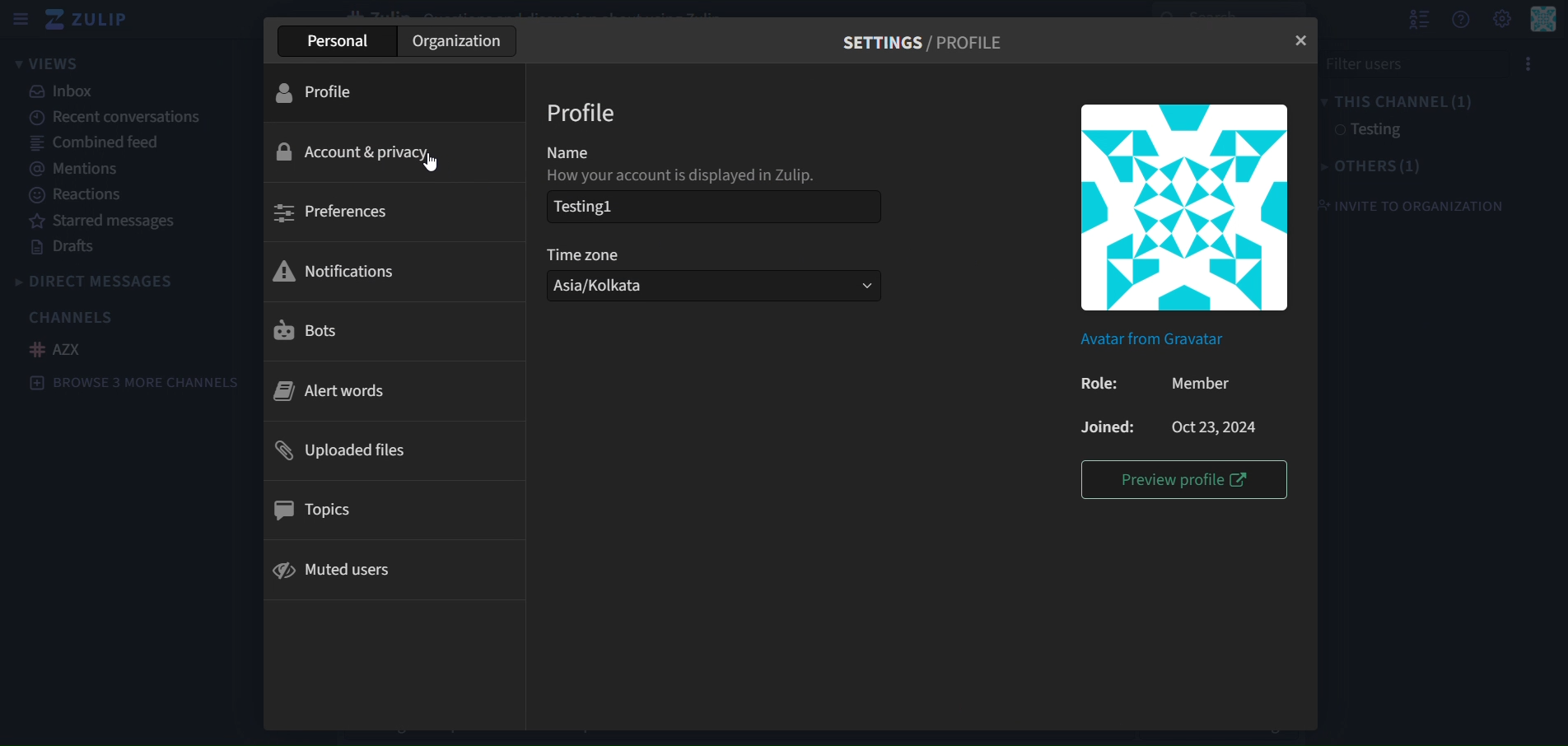 The height and width of the screenshot is (746, 1568). I want to click on reactions, so click(82, 196).